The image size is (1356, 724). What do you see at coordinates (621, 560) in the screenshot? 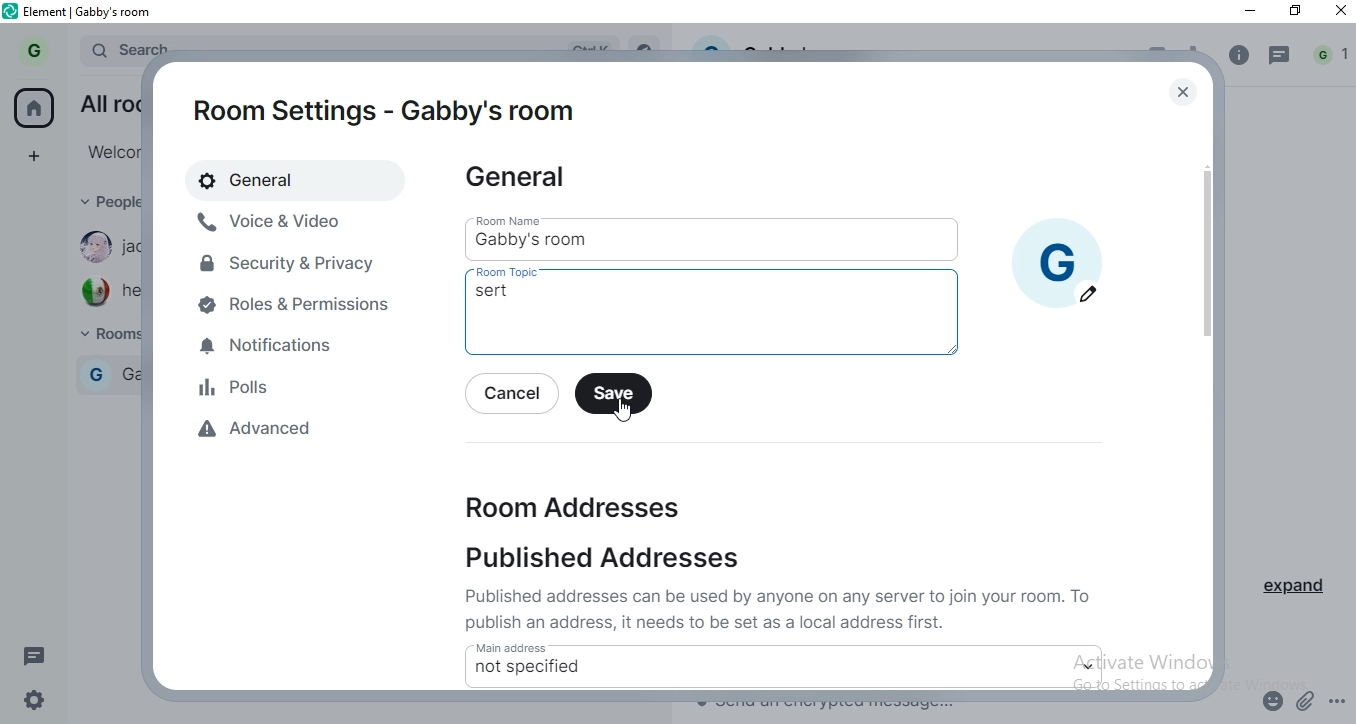
I see `published addresses` at bounding box center [621, 560].